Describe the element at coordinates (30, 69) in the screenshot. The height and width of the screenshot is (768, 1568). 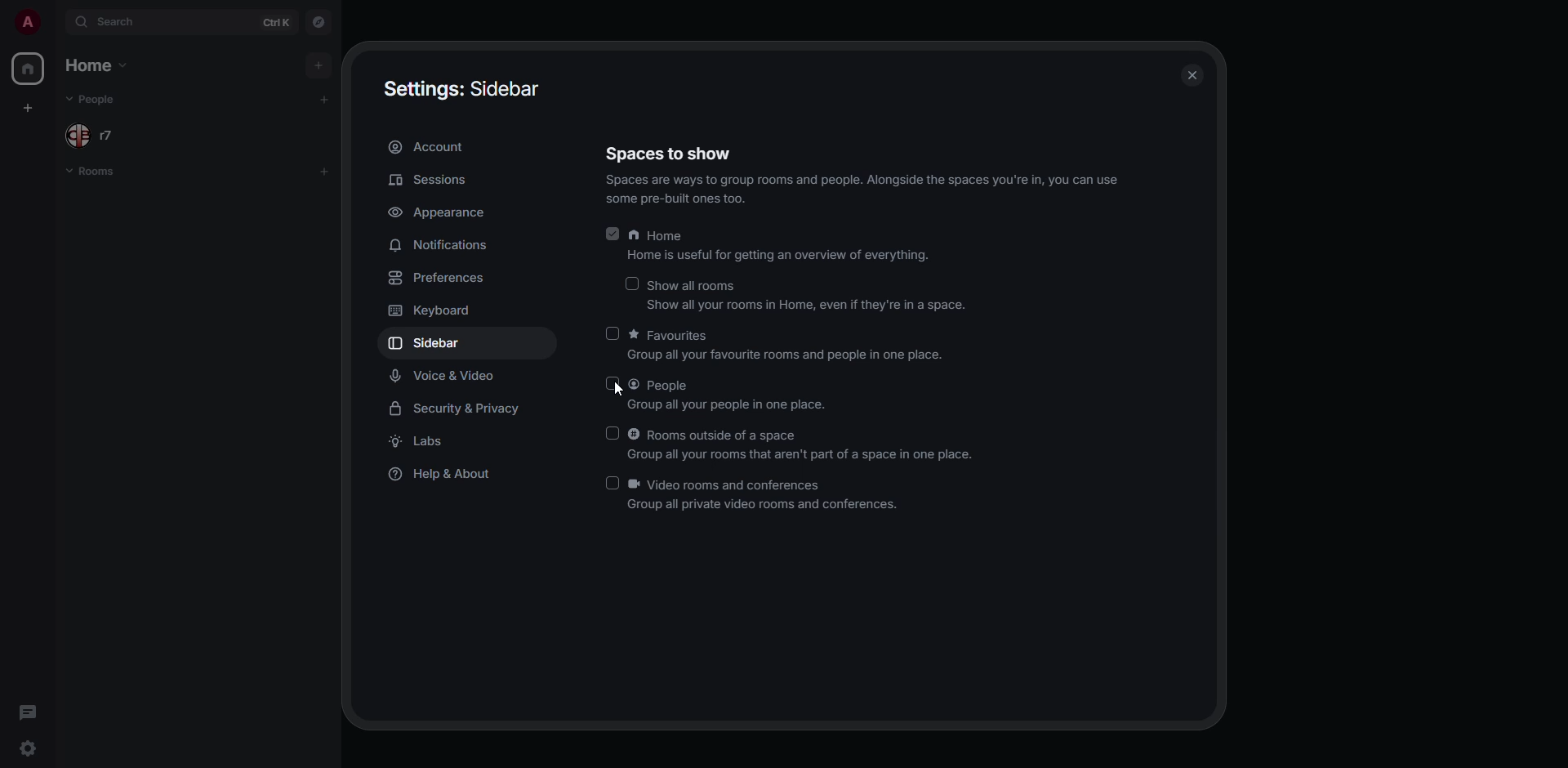
I see `home` at that location.